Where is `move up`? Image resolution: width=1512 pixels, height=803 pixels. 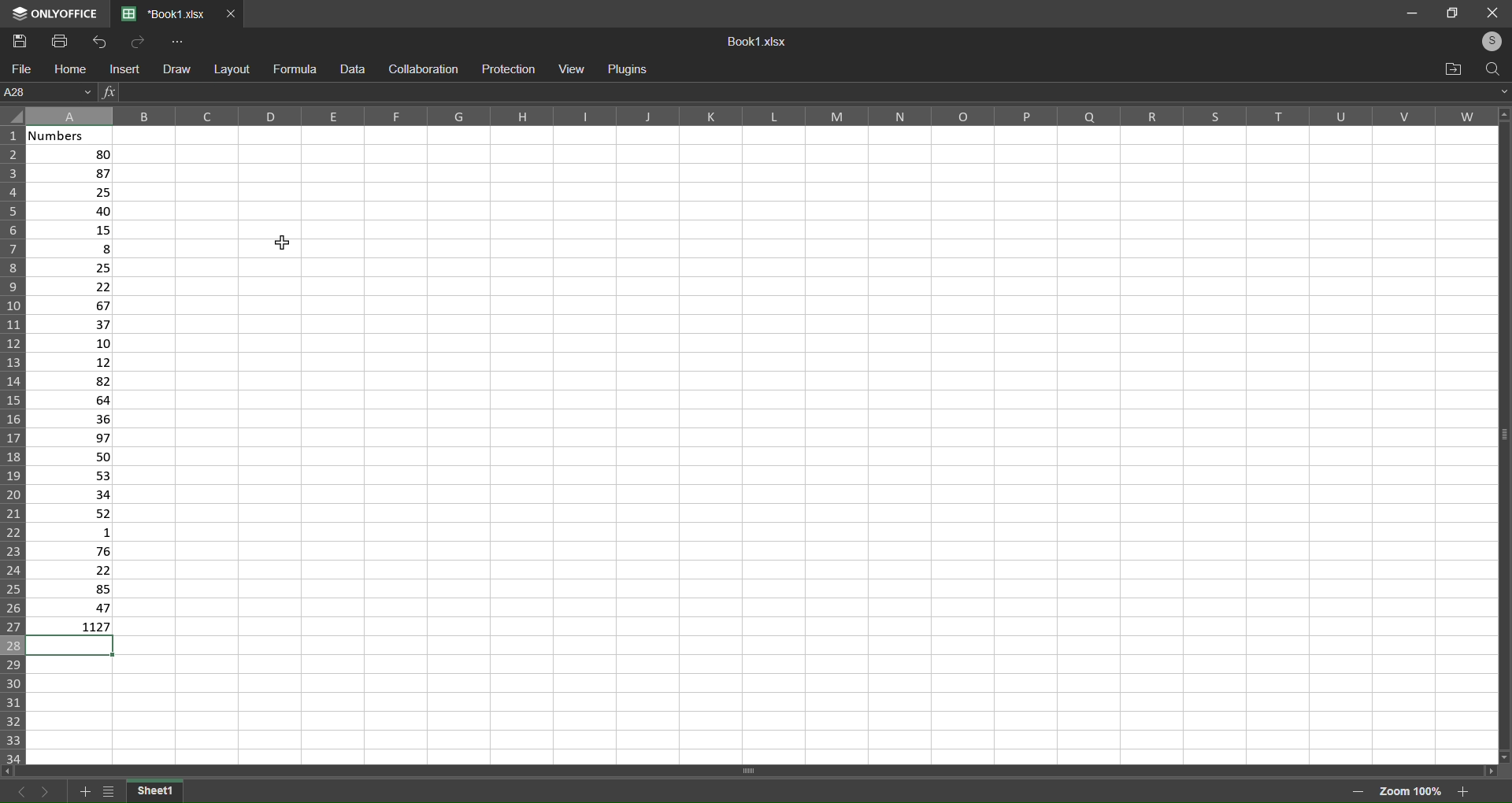
move up is located at coordinates (1502, 113).